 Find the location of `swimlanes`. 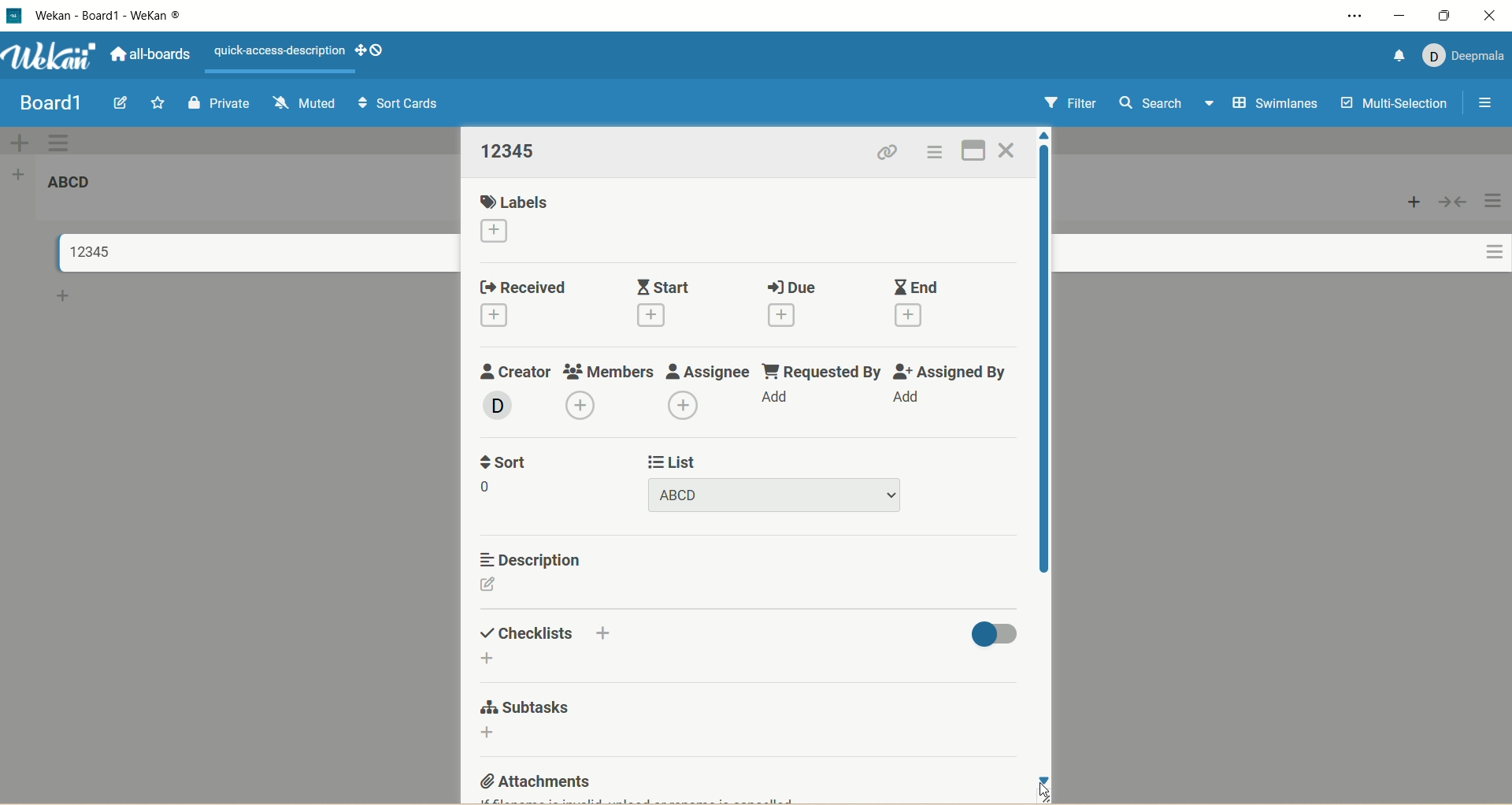

swimlanes is located at coordinates (1277, 105).